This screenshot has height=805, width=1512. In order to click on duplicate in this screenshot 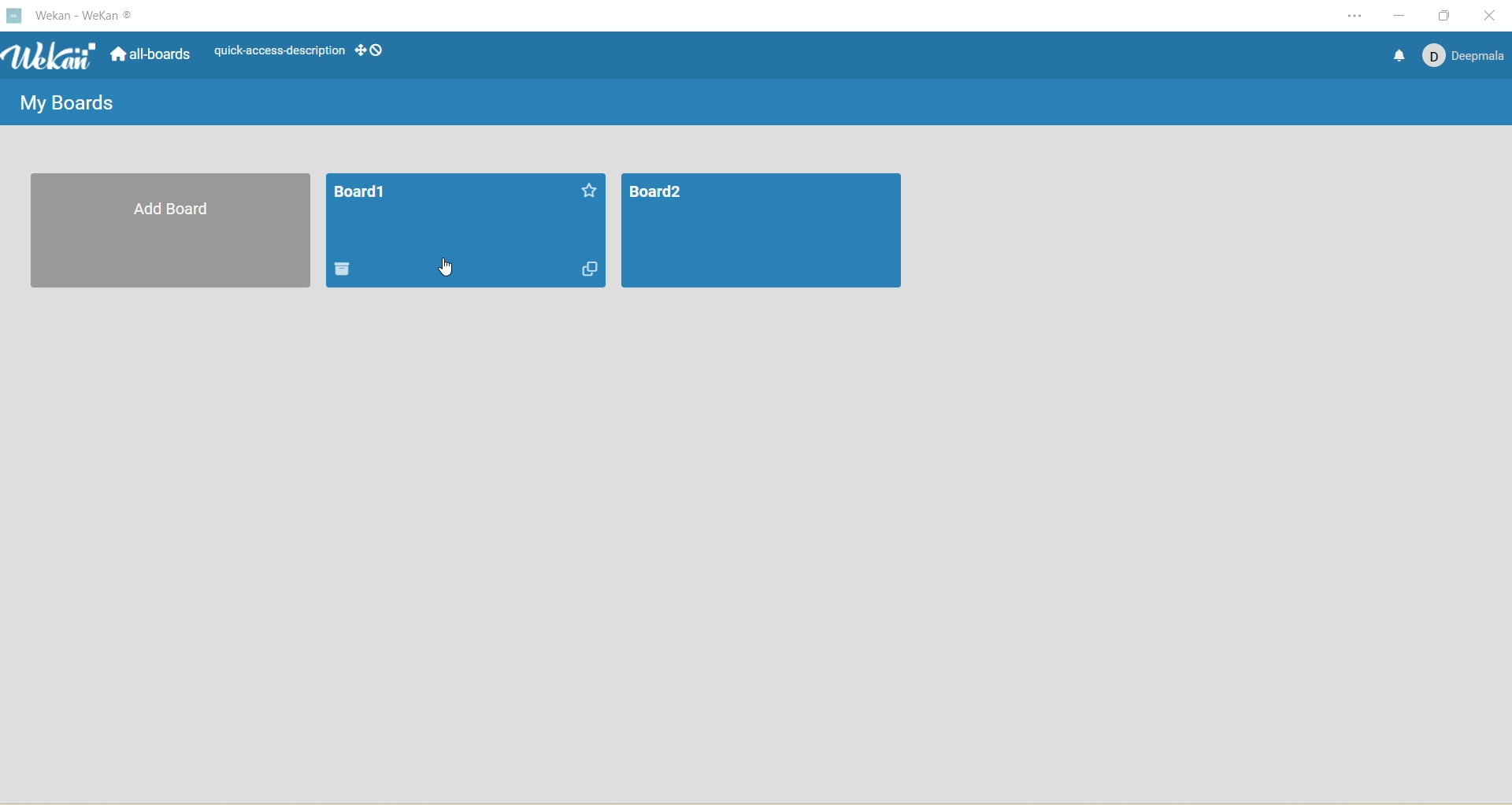, I will do `click(588, 269)`.